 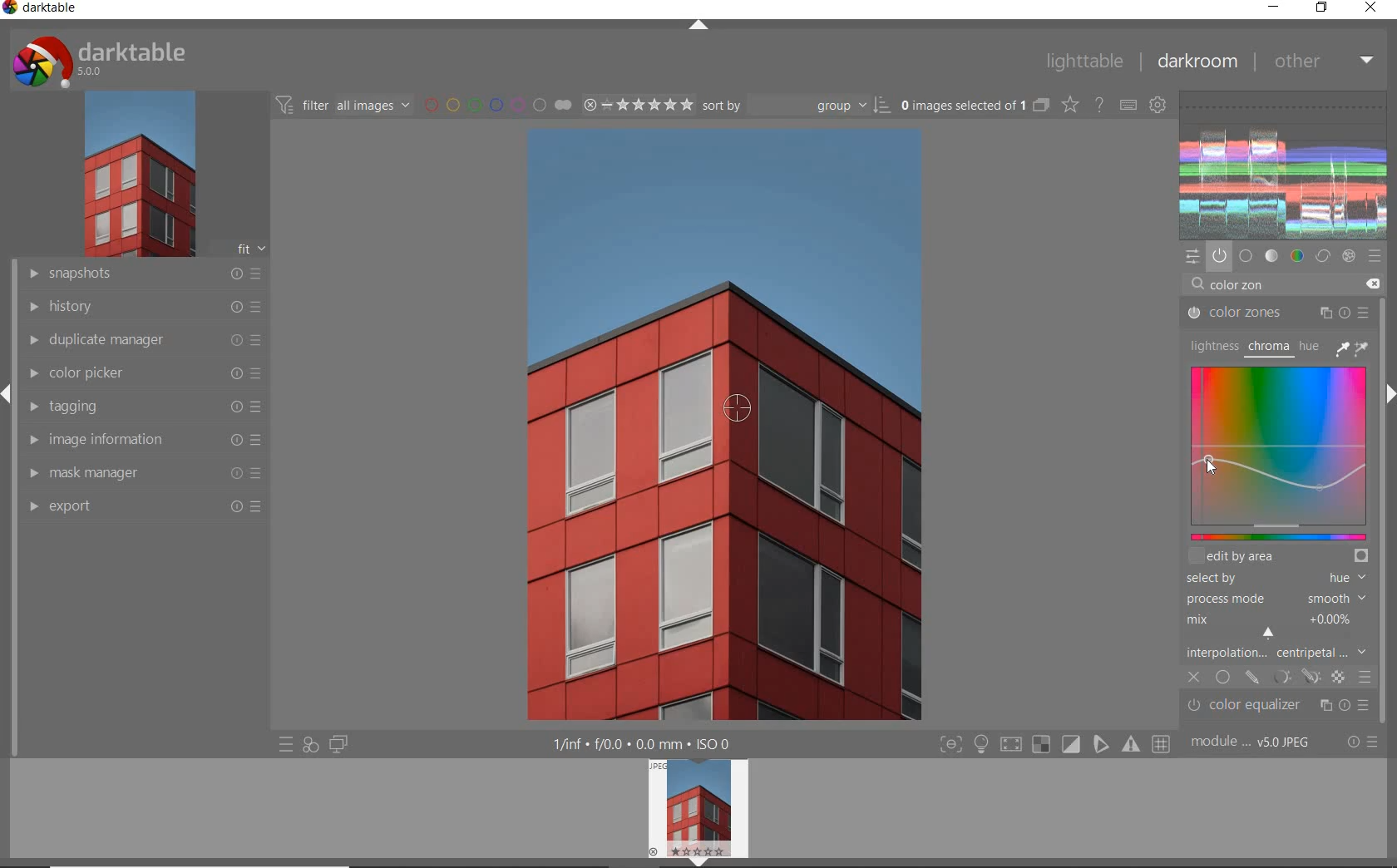 I want to click on quick access for applying any of your styles, so click(x=311, y=744).